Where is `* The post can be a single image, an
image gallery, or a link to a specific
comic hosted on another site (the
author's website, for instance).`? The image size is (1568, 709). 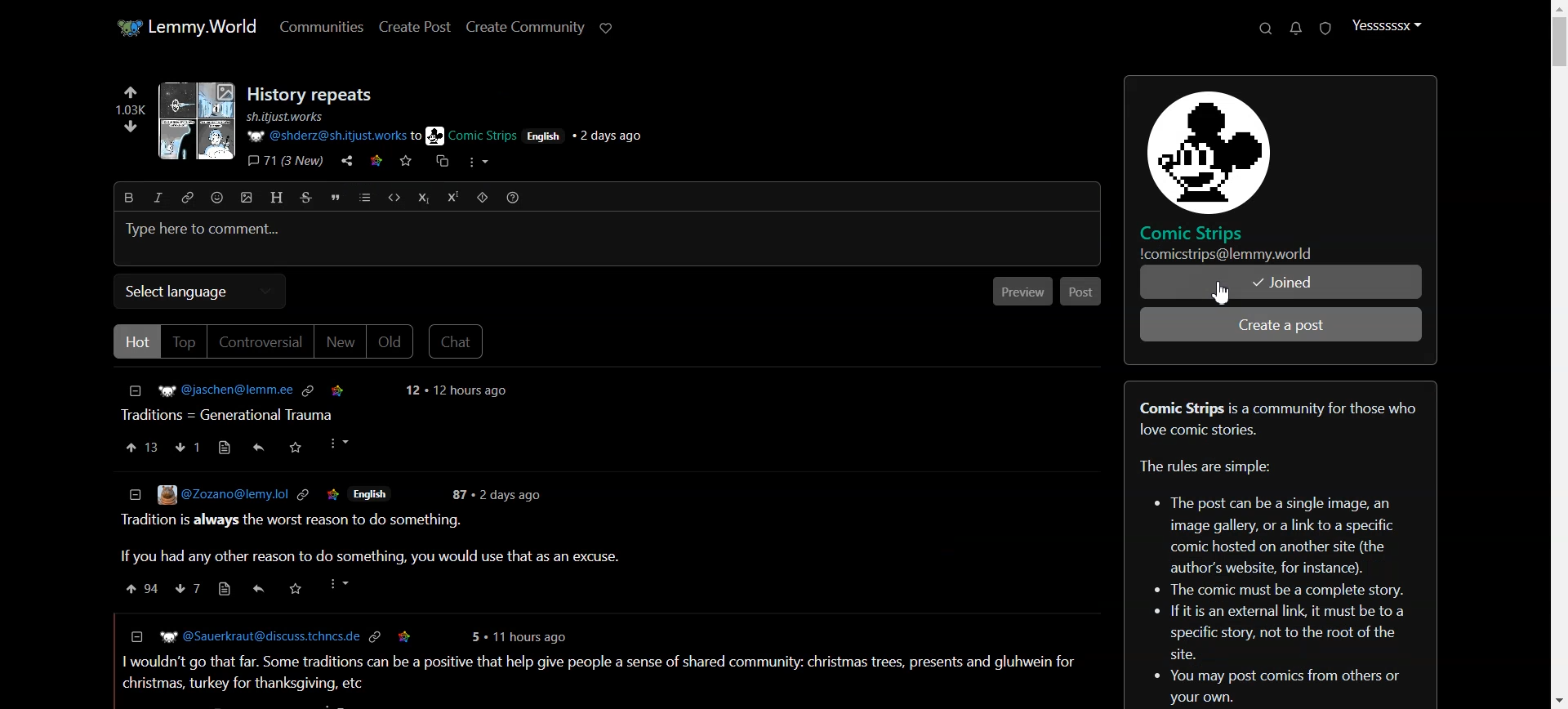
* The post can be a single image, an
image gallery, or a link to a specific
comic hosted on another site (the
author's website, for instance). is located at coordinates (1271, 530).